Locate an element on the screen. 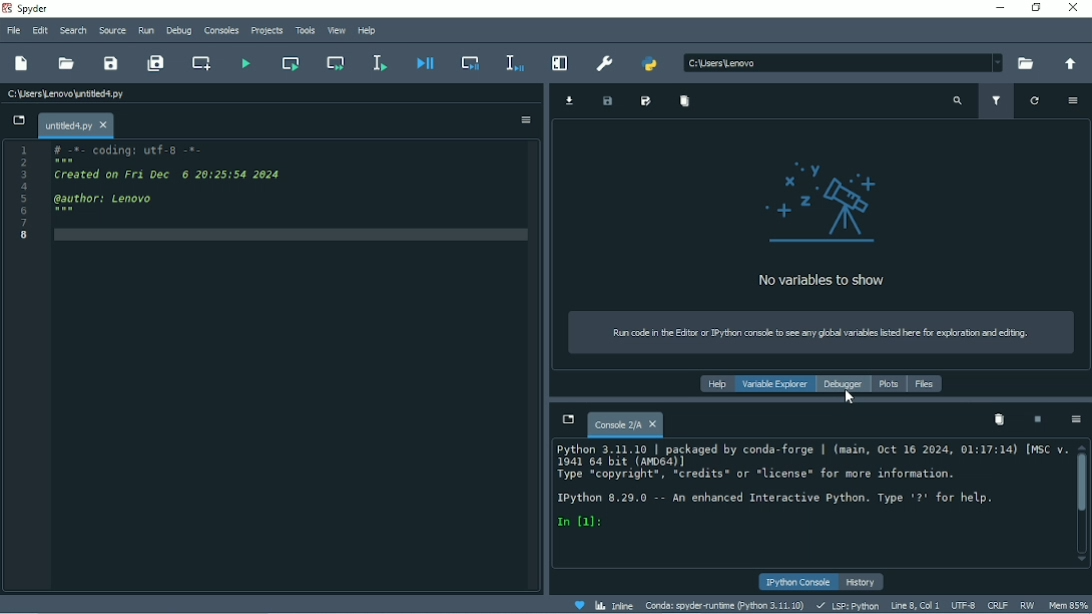  File is located at coordinates (13, 30).